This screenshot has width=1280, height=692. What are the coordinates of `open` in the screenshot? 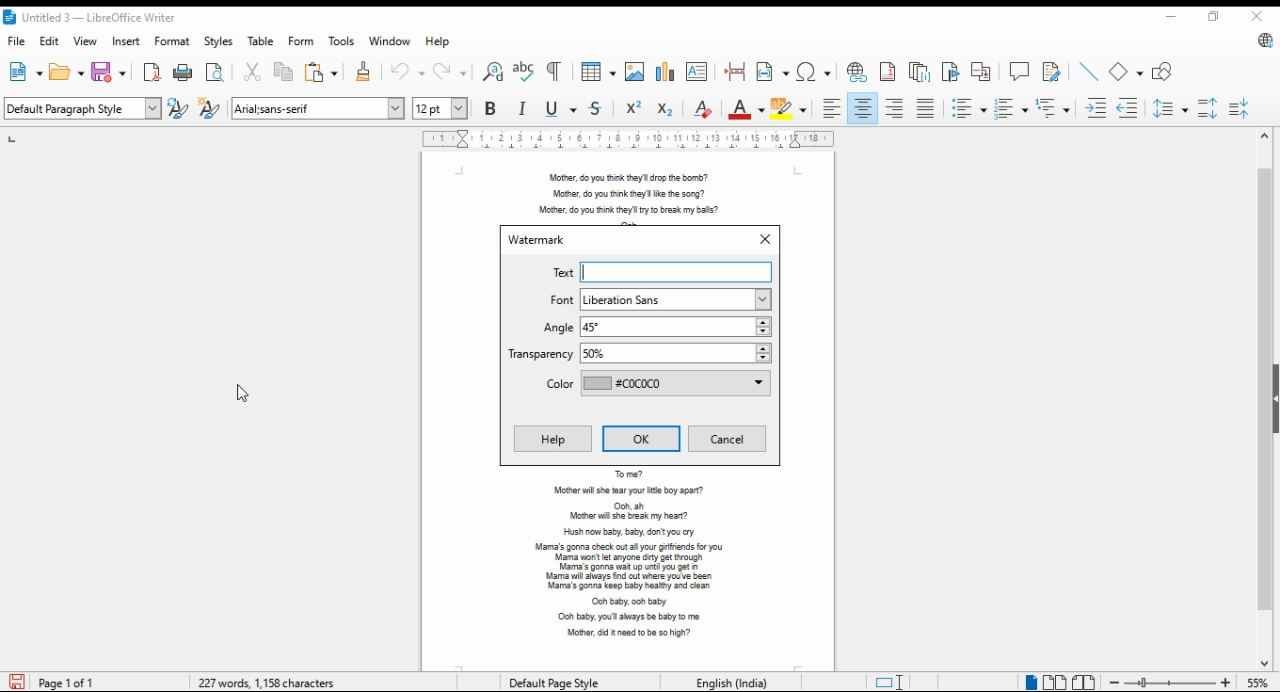 It's located at (66, 72).